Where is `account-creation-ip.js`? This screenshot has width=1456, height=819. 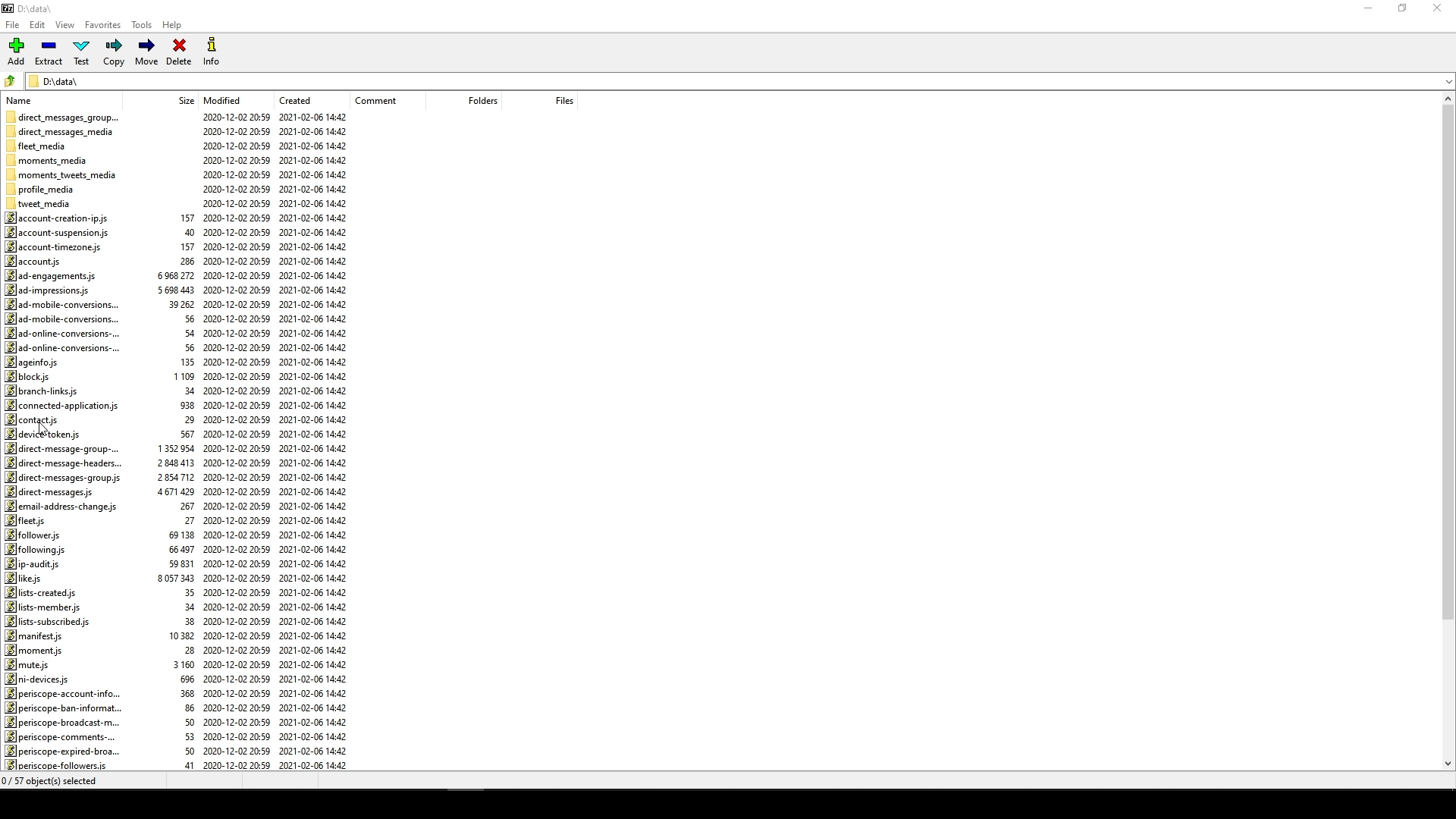
account-creation-ip.js is located at coordinates (63, 218).